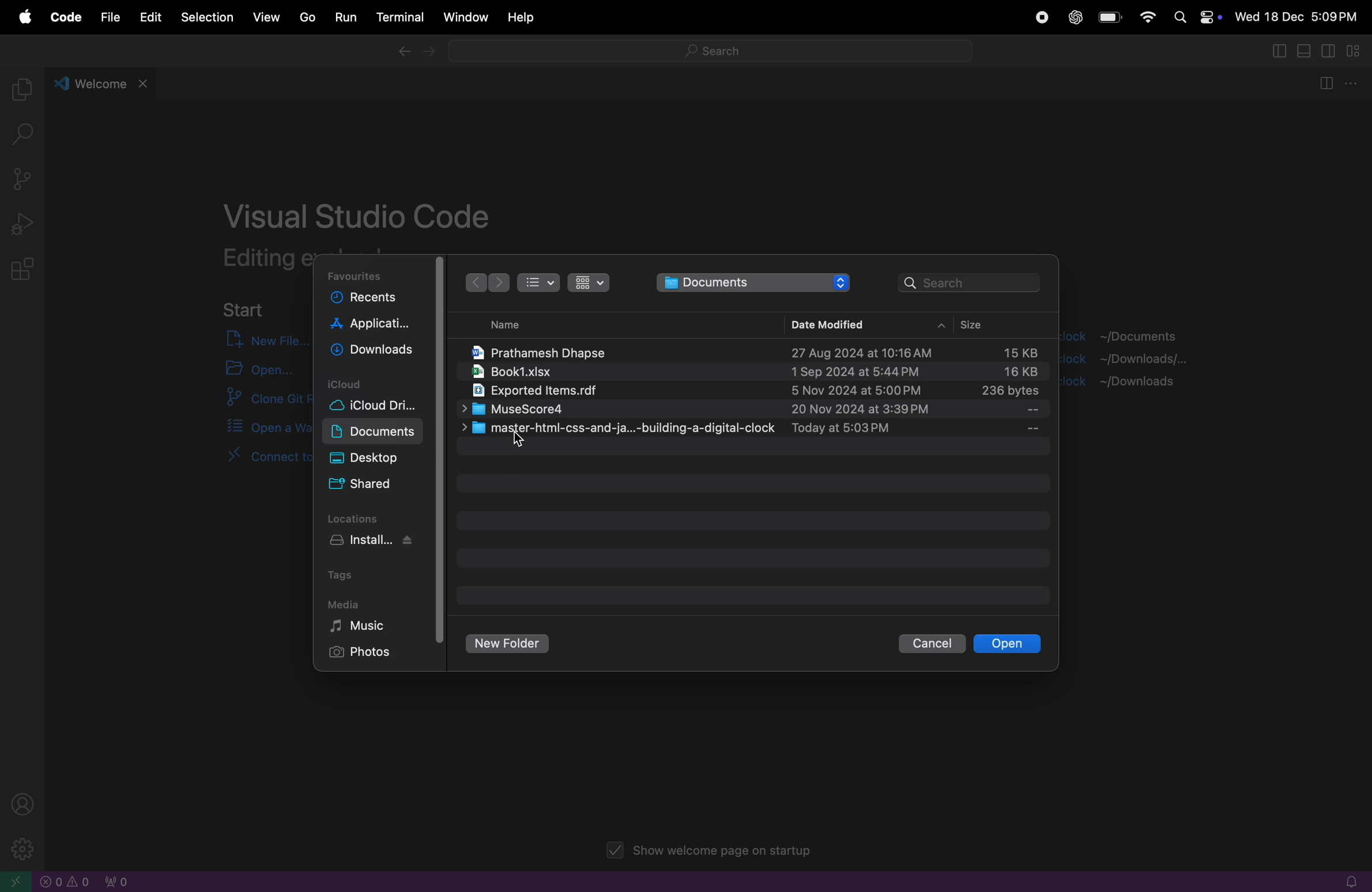 The image size is (1372, 892). I want to click on apple widgets, so click(1195, 16).